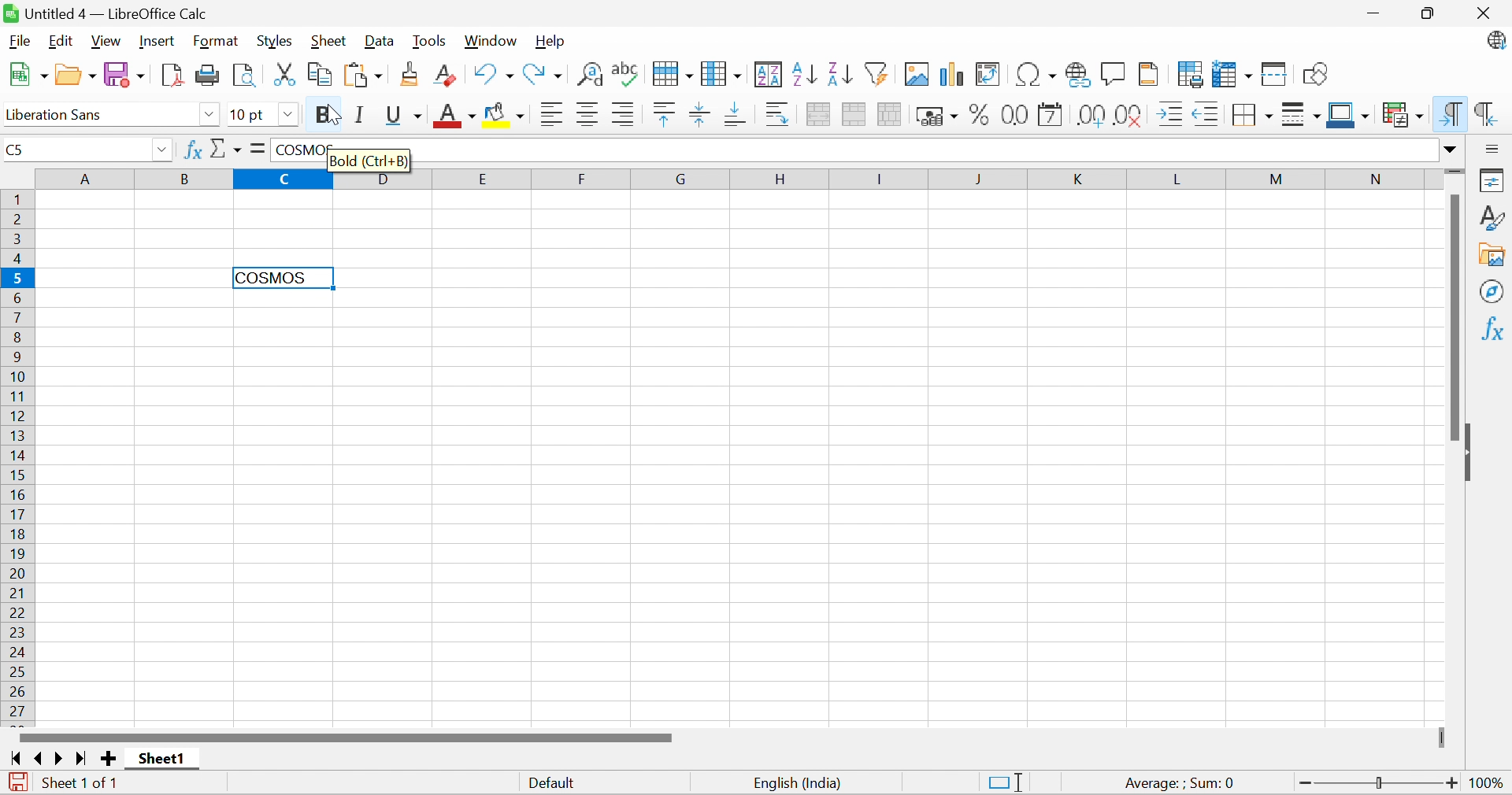 The height and width of the screenshot is (795, 1512). What do you see at coordinates (245, 74) in the screenshot?
I see `Toggle Print Preview` at bounding box center [245, 74].